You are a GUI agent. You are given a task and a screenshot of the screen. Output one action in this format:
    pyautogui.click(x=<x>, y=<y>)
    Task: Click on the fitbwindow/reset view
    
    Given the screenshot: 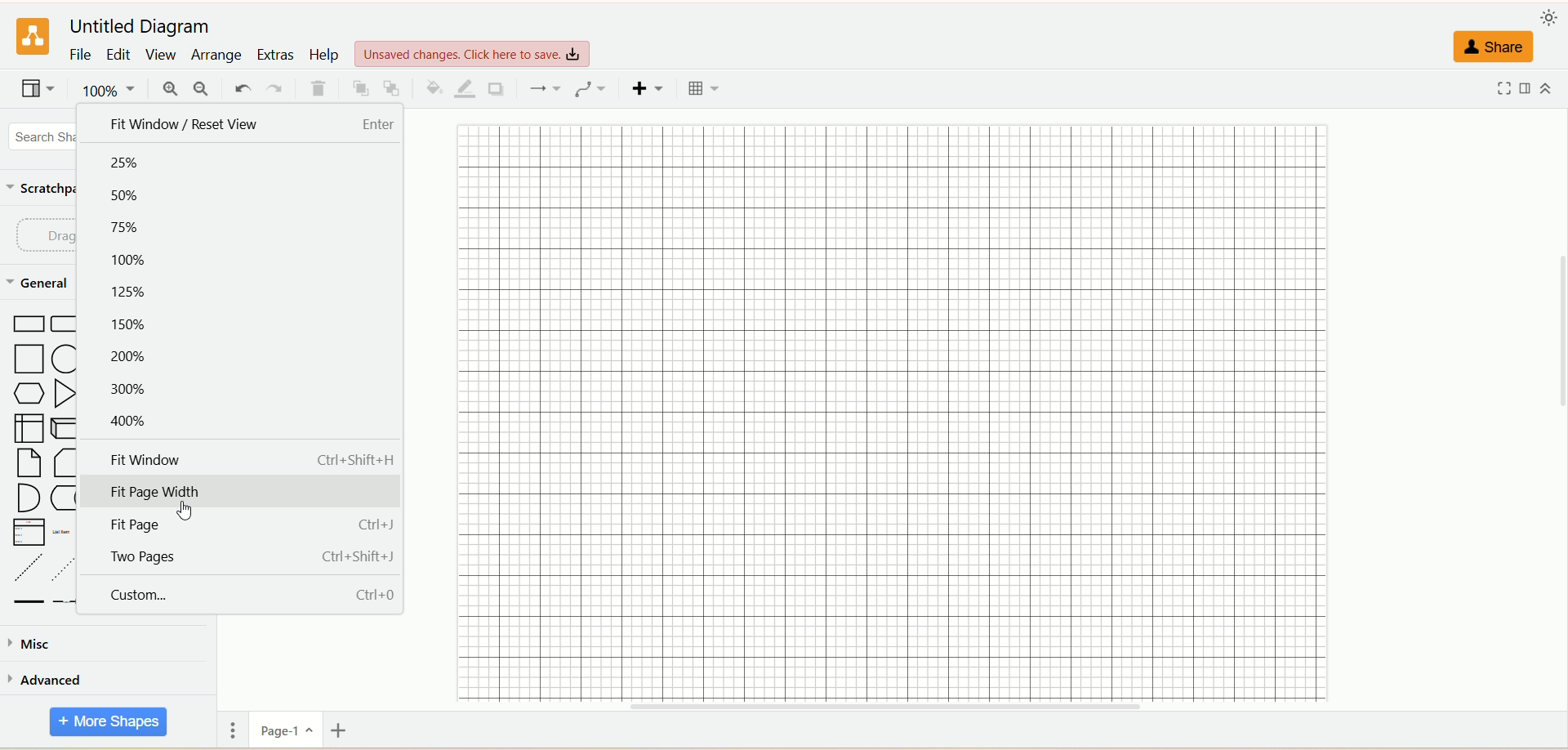 What is the action you would take?
    pyautogui.click(x=179, y=125)
    